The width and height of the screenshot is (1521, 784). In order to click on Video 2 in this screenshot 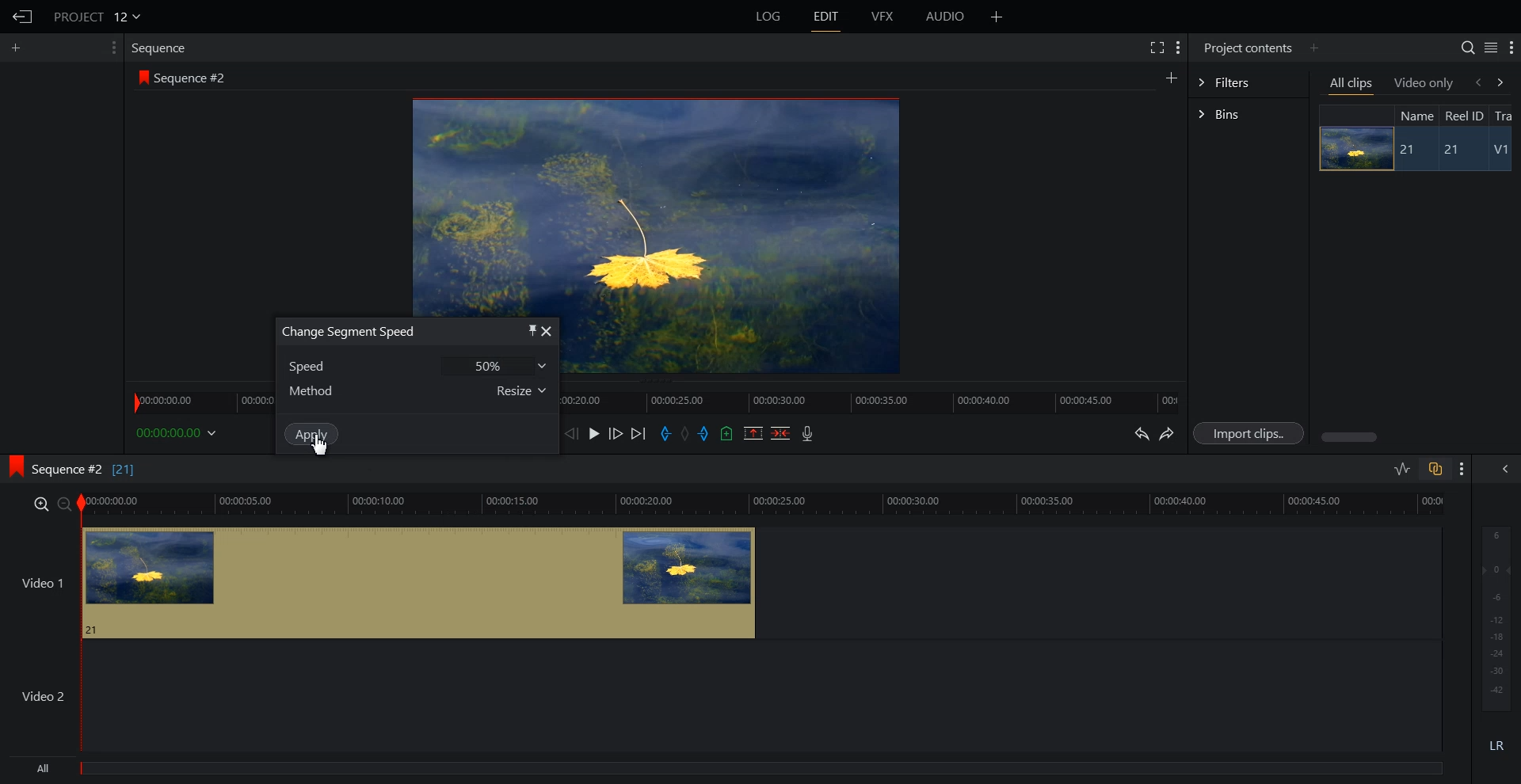, I will do `click(721, 696)`.